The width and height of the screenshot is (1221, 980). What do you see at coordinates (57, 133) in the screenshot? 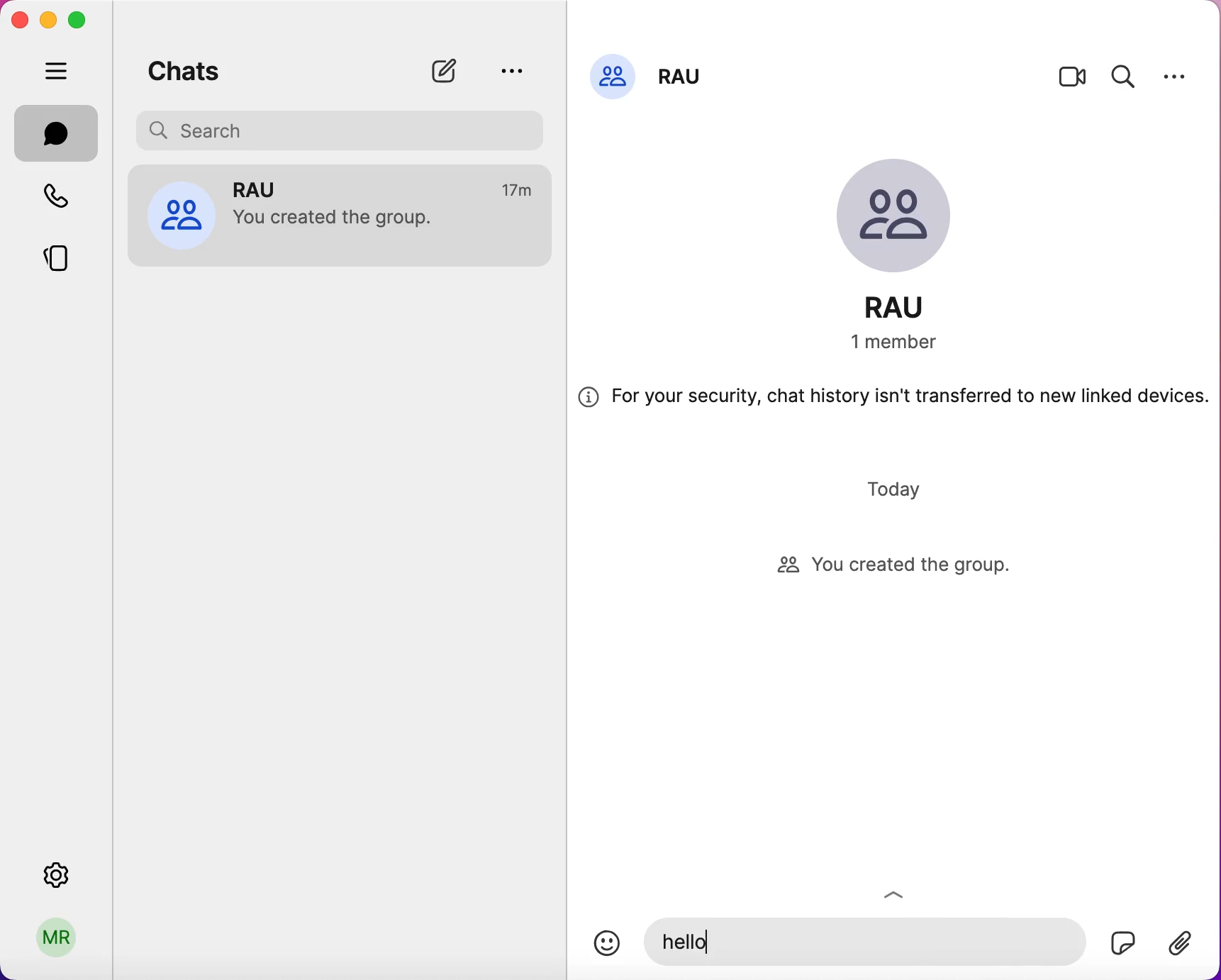
I see `chats` at bounding box center [57, 133].